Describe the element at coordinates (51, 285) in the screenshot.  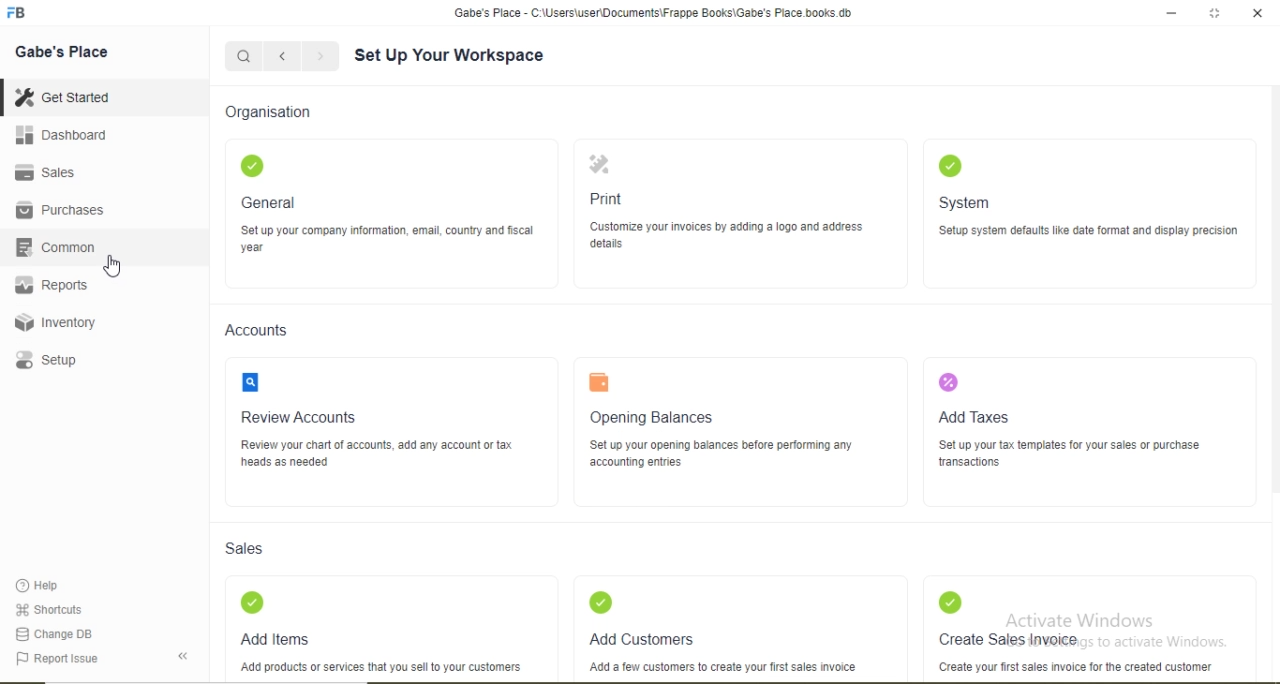
I see `Reports` at that location.